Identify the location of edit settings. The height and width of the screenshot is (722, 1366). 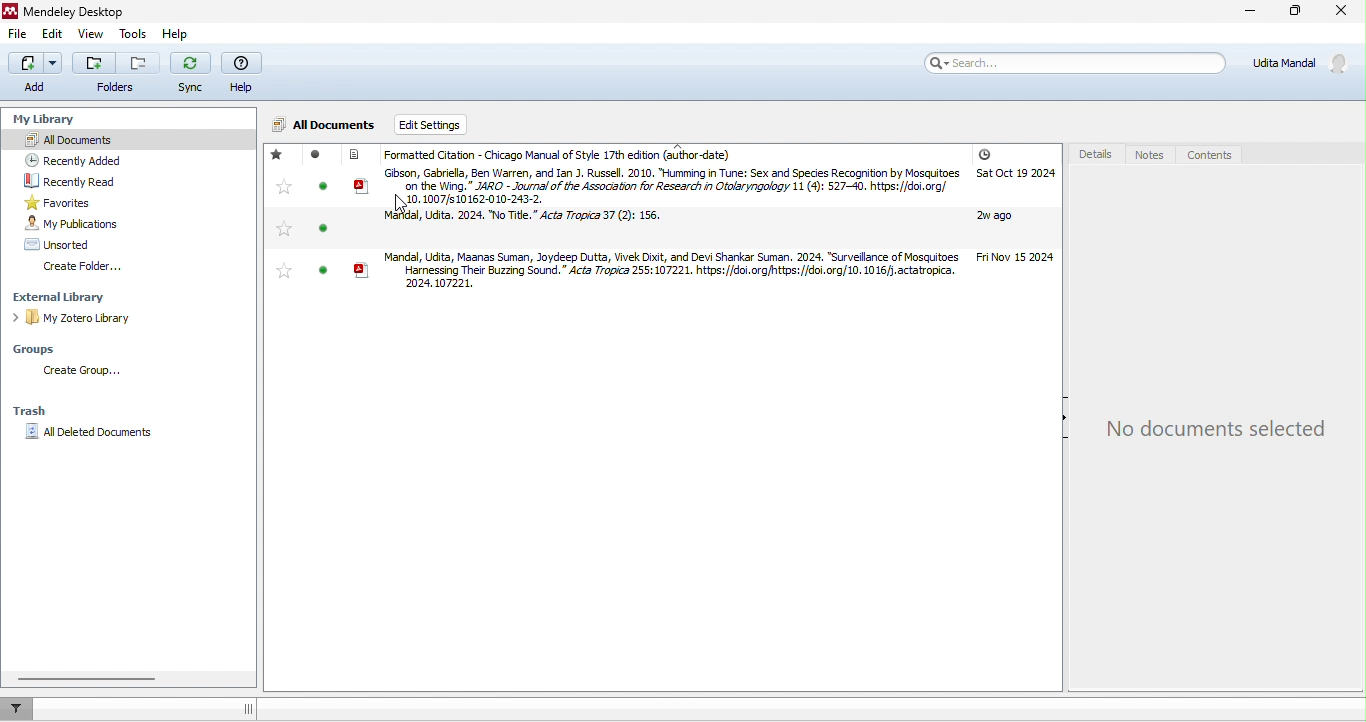
(431, 124).